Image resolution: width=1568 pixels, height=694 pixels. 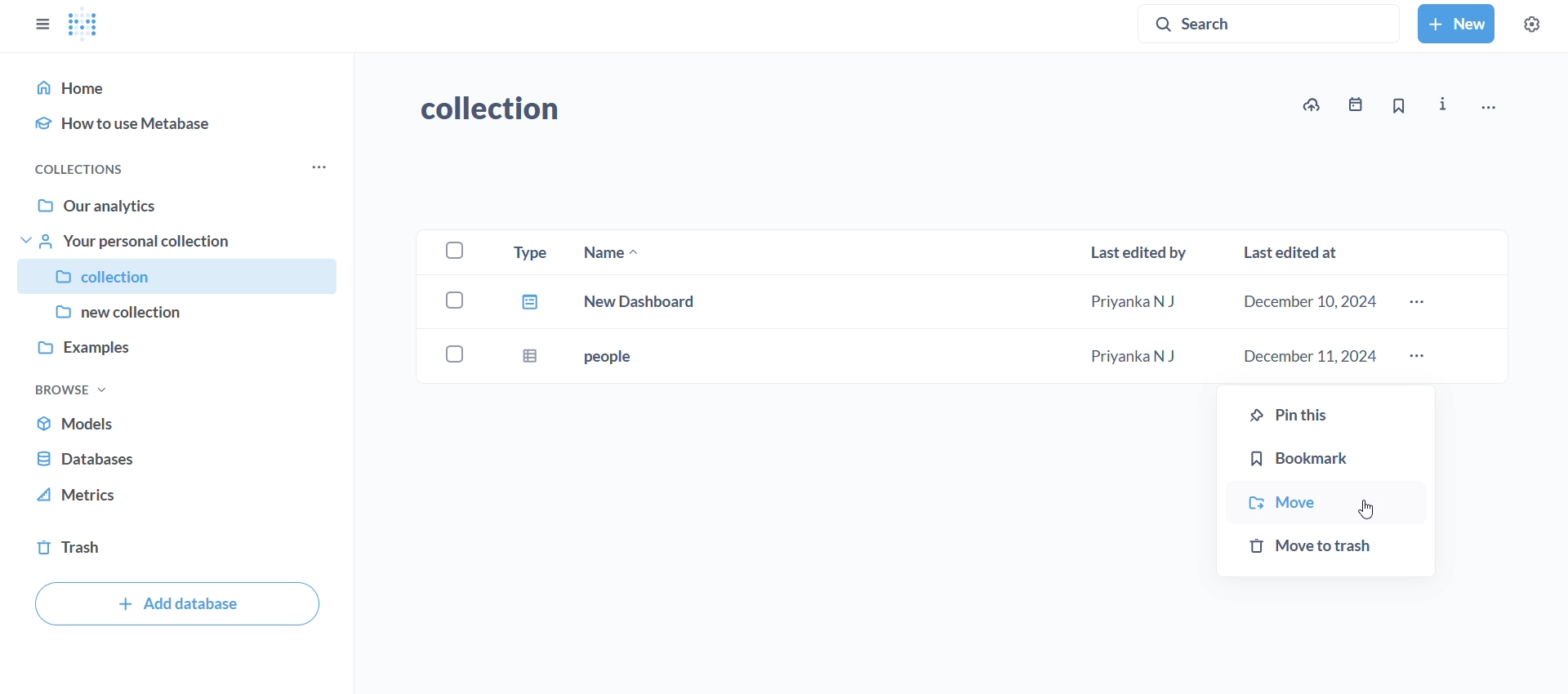 I want to click on add database, so click(x=177, y=604).